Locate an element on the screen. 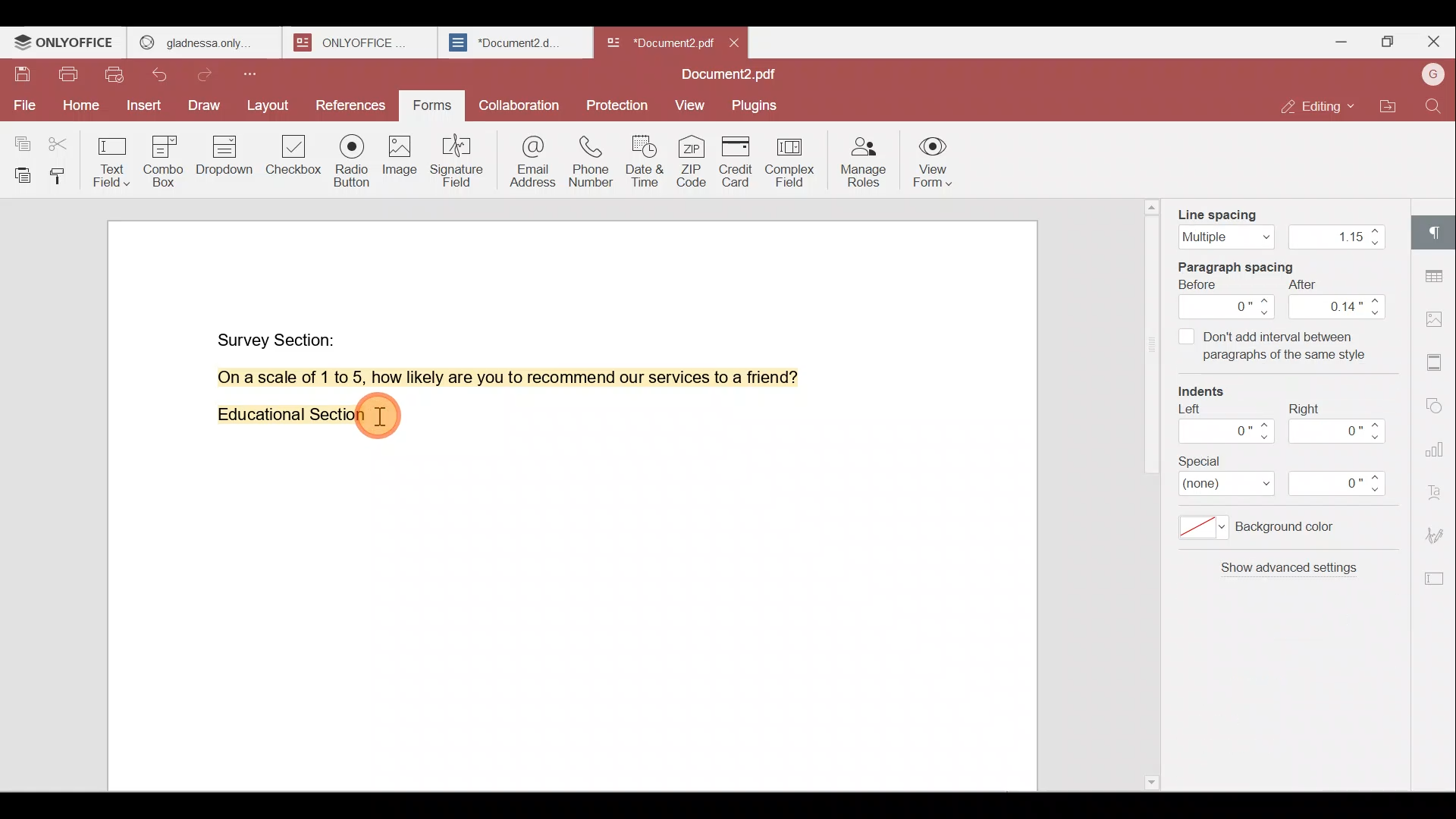 Image resolution: width=1456 pixels, height=819 pixels. Home is located at coordinates (78, 108).